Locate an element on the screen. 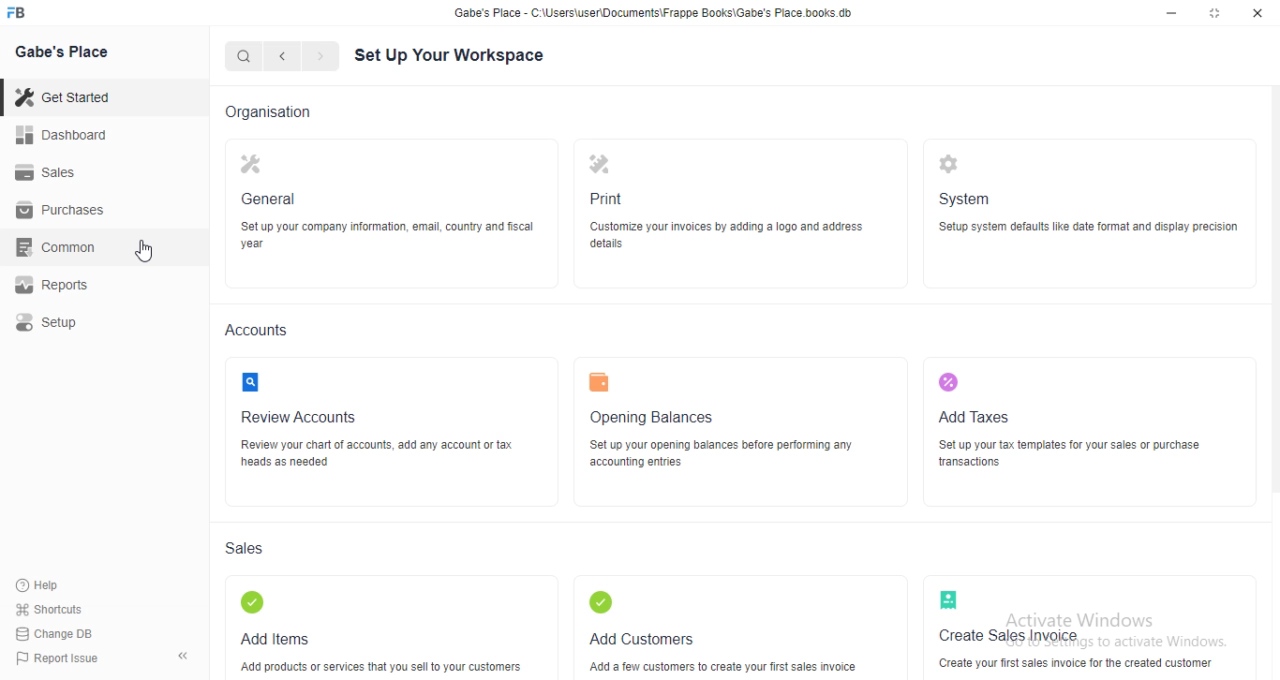  logo is located at coordinates (947, 599).